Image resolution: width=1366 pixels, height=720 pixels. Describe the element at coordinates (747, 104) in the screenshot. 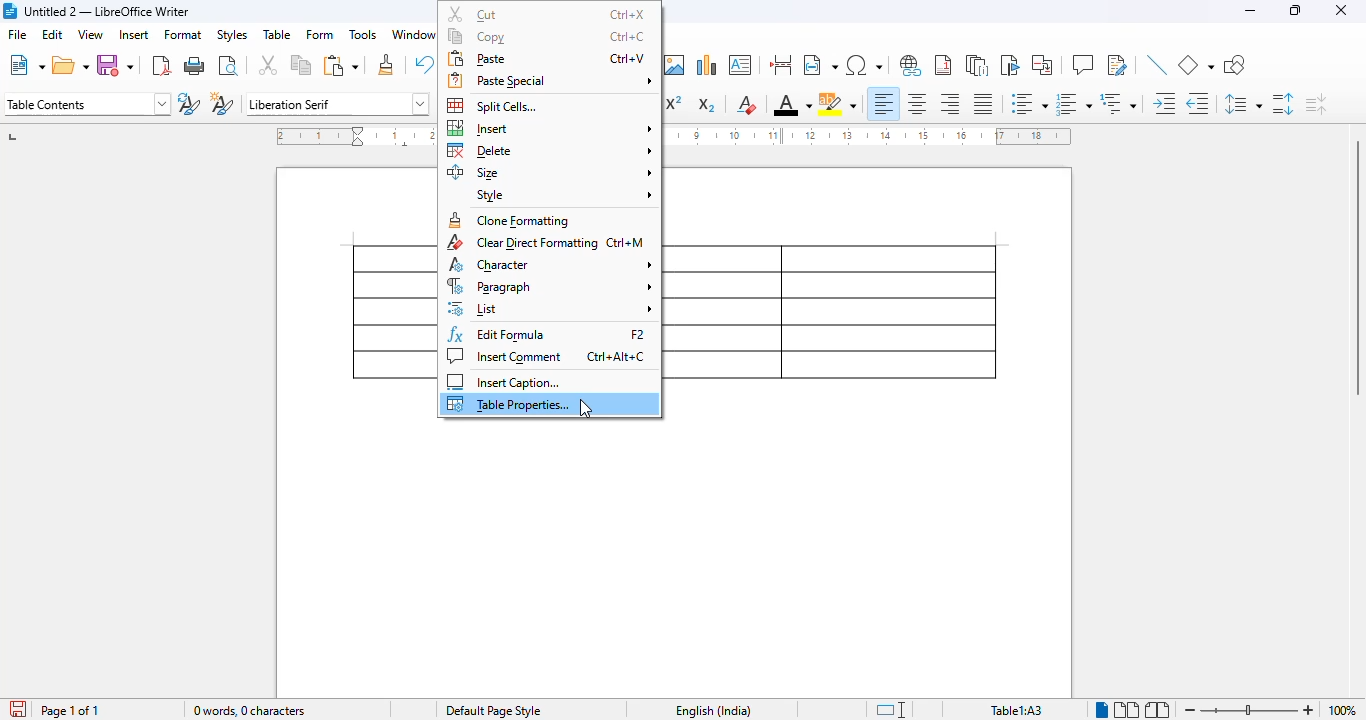

I see `clear direct formatting` at that location.